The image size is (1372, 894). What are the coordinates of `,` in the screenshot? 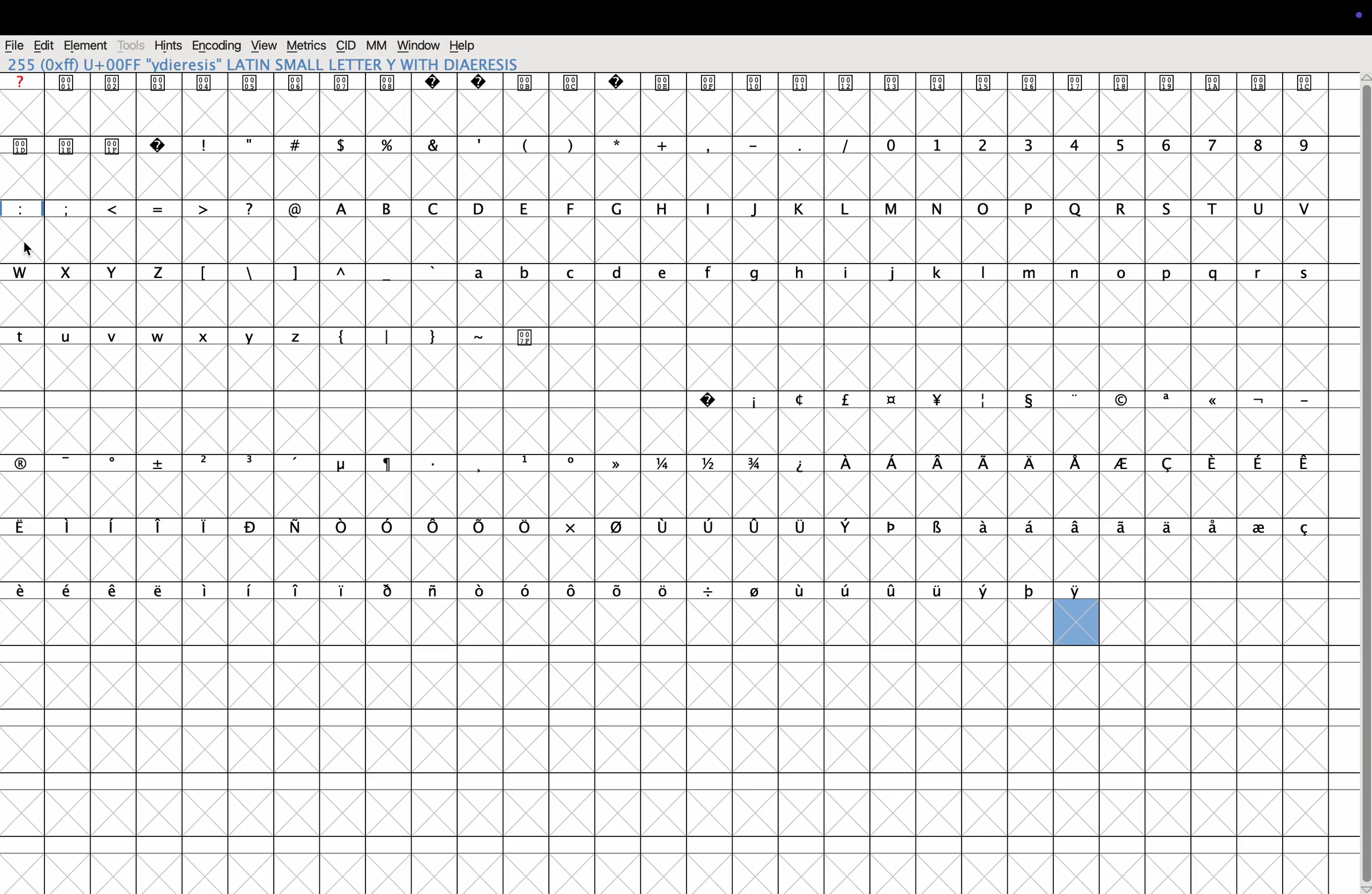 It's located at (708, 166).